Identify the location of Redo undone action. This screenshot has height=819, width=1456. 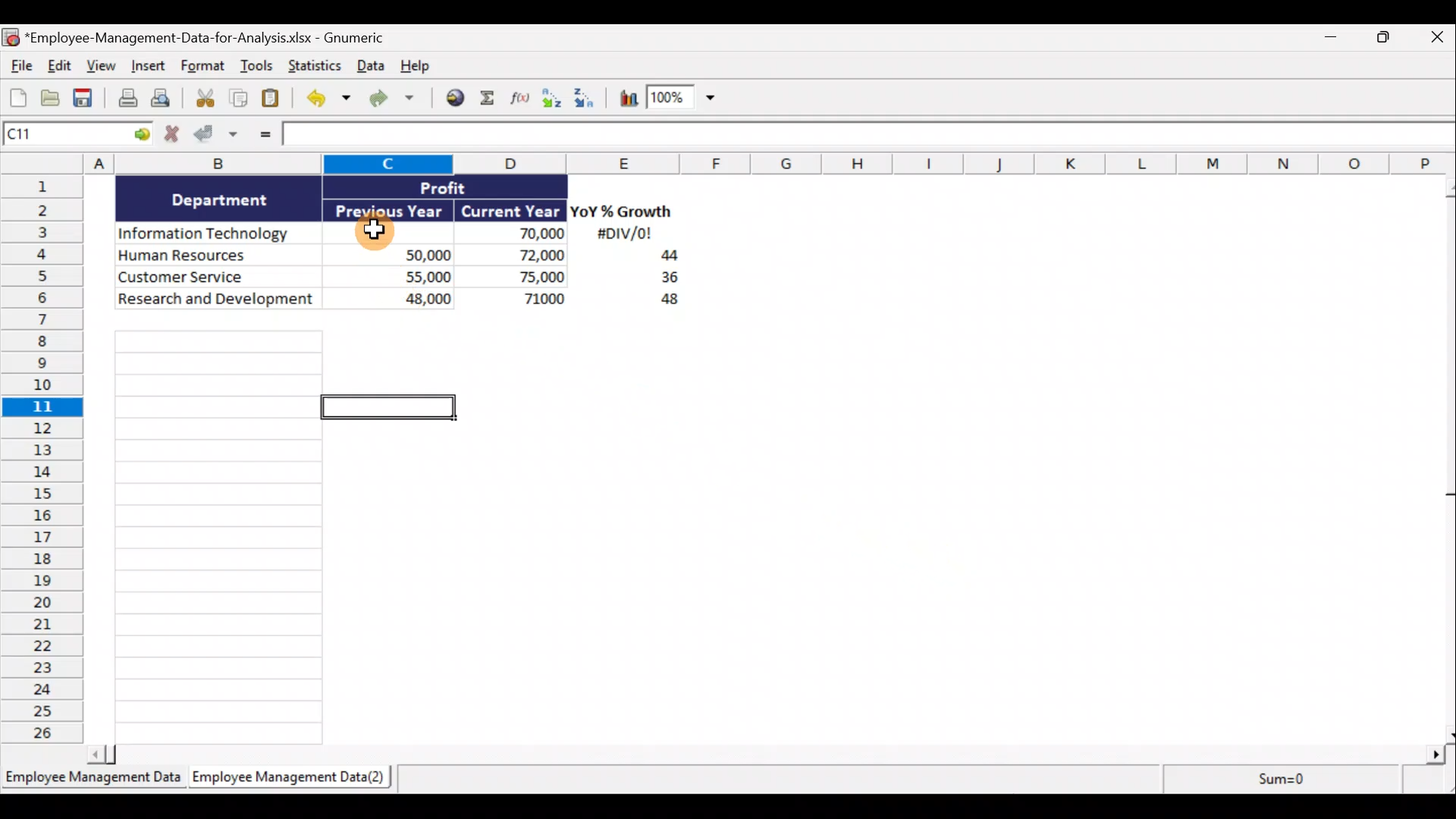
(398, 99).